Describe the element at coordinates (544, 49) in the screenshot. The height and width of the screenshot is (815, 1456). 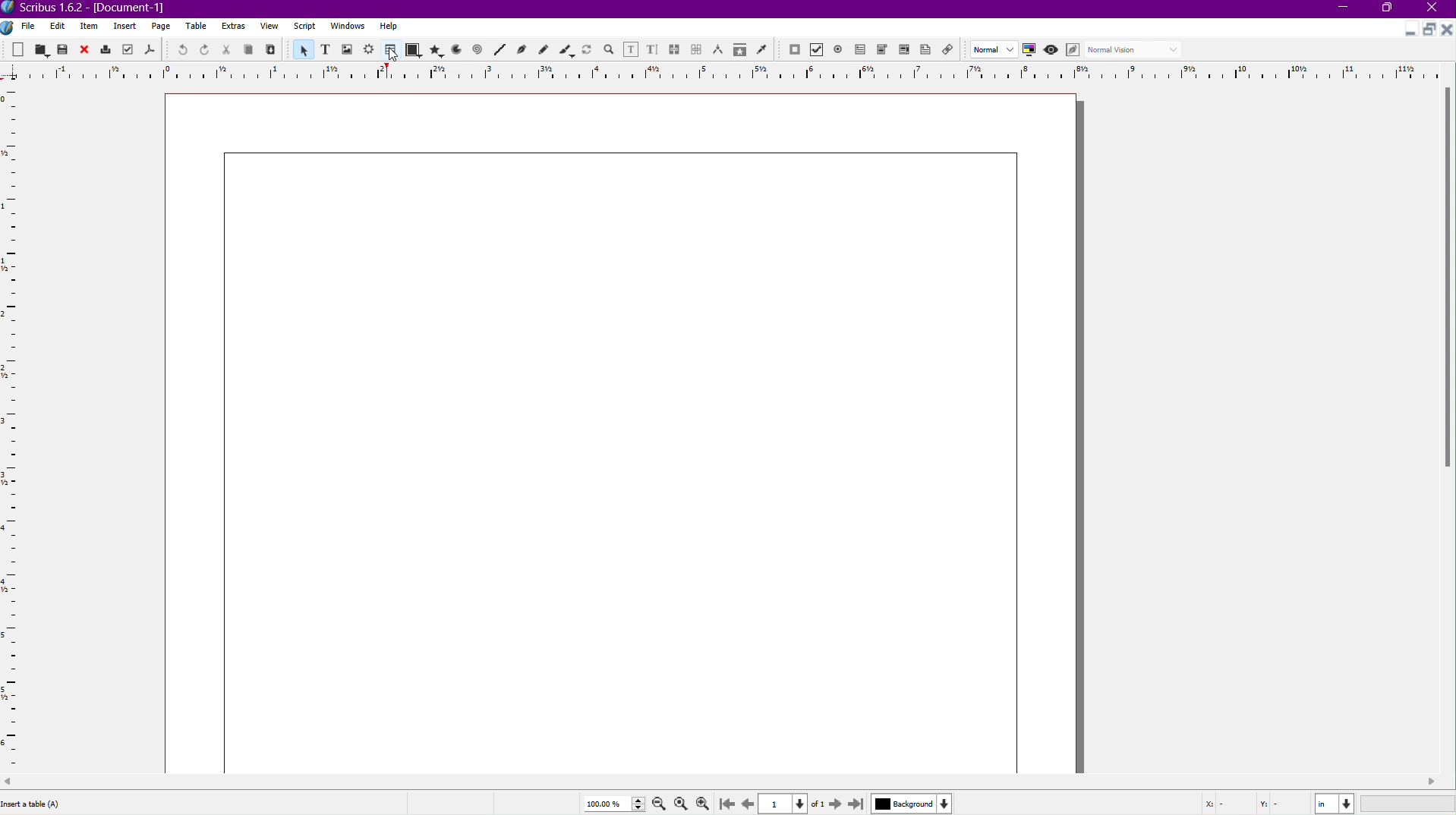
I see `Freehand Line` at that location.